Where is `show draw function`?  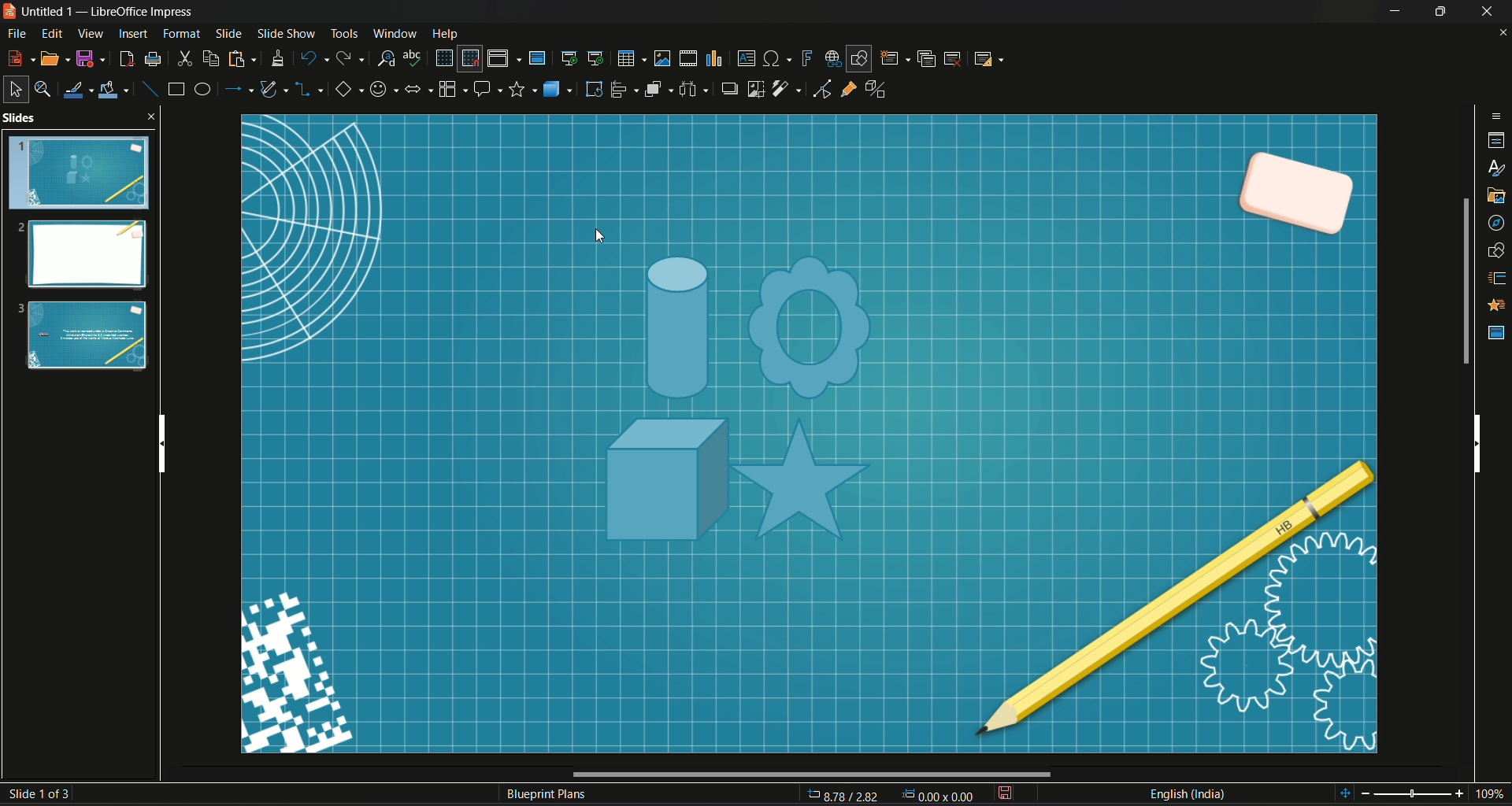 show draw function is located at coordinates (859, 58).